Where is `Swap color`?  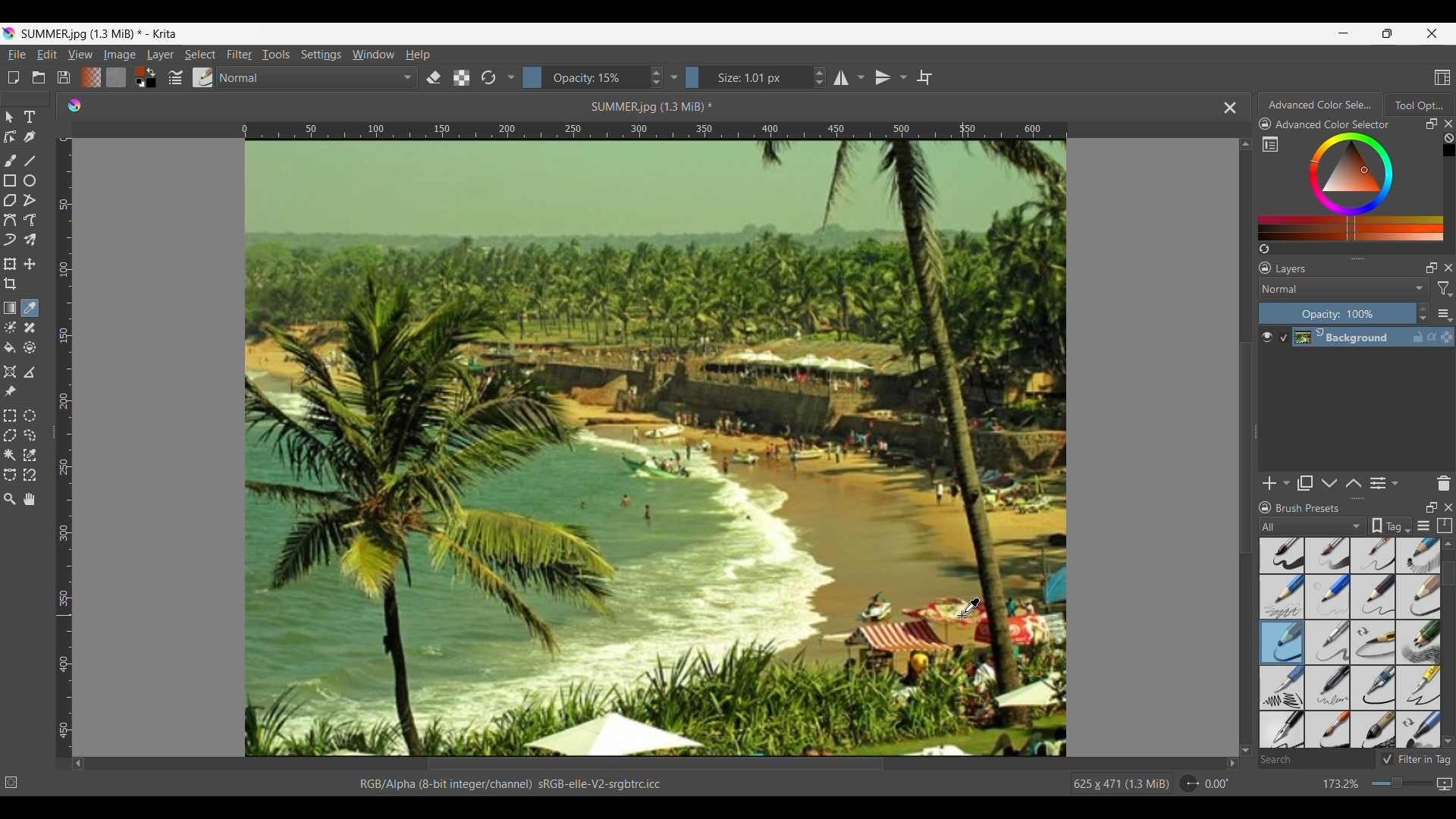 Swap color is located at coordinates (151, 72).